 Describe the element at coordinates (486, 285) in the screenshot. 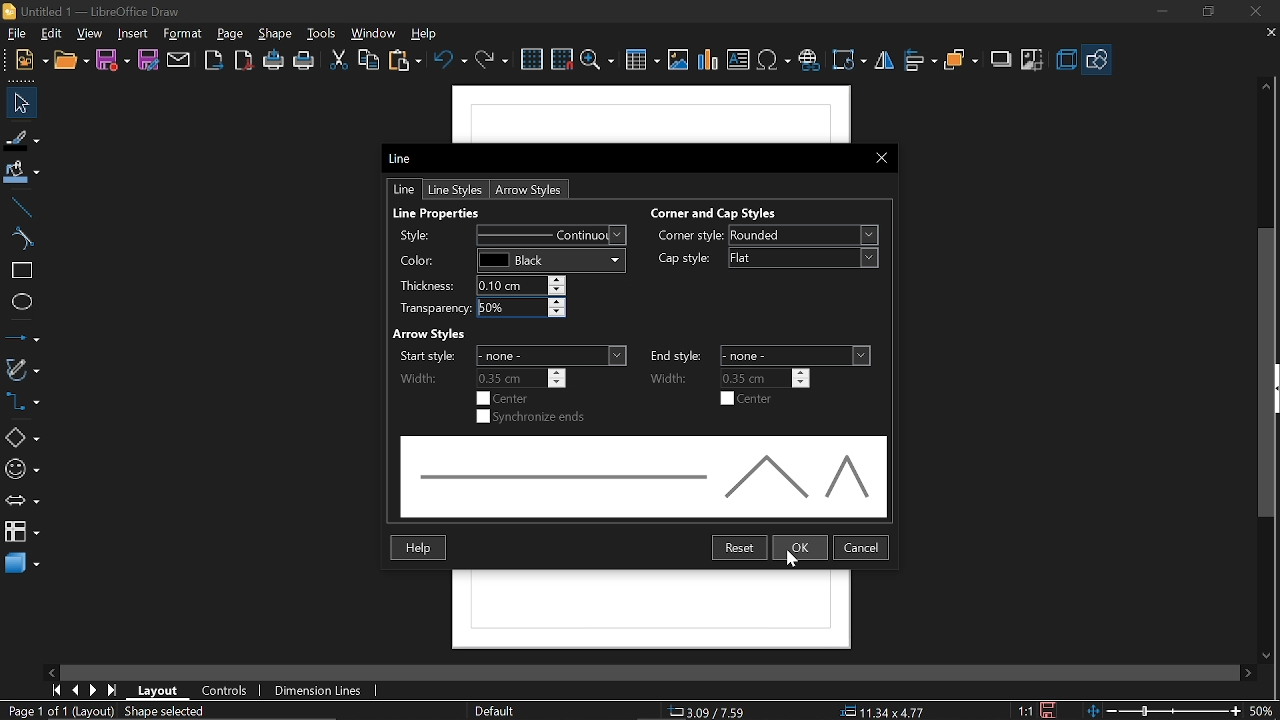

I see `Thickness` at that location.